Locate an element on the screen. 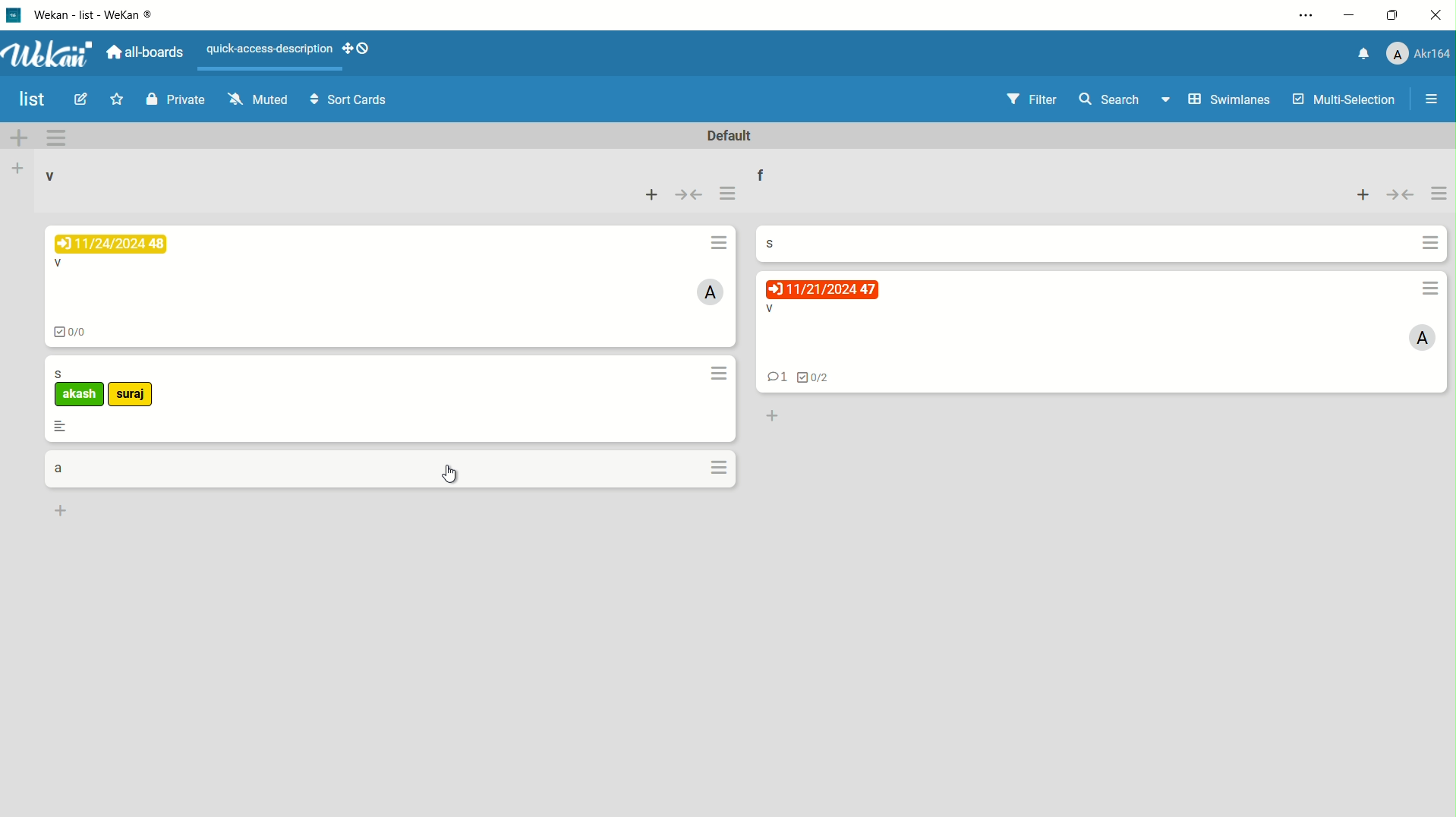 The height and width of the screenshot is (817, 1456). quick-access-description is located at coordinates (271, 50).